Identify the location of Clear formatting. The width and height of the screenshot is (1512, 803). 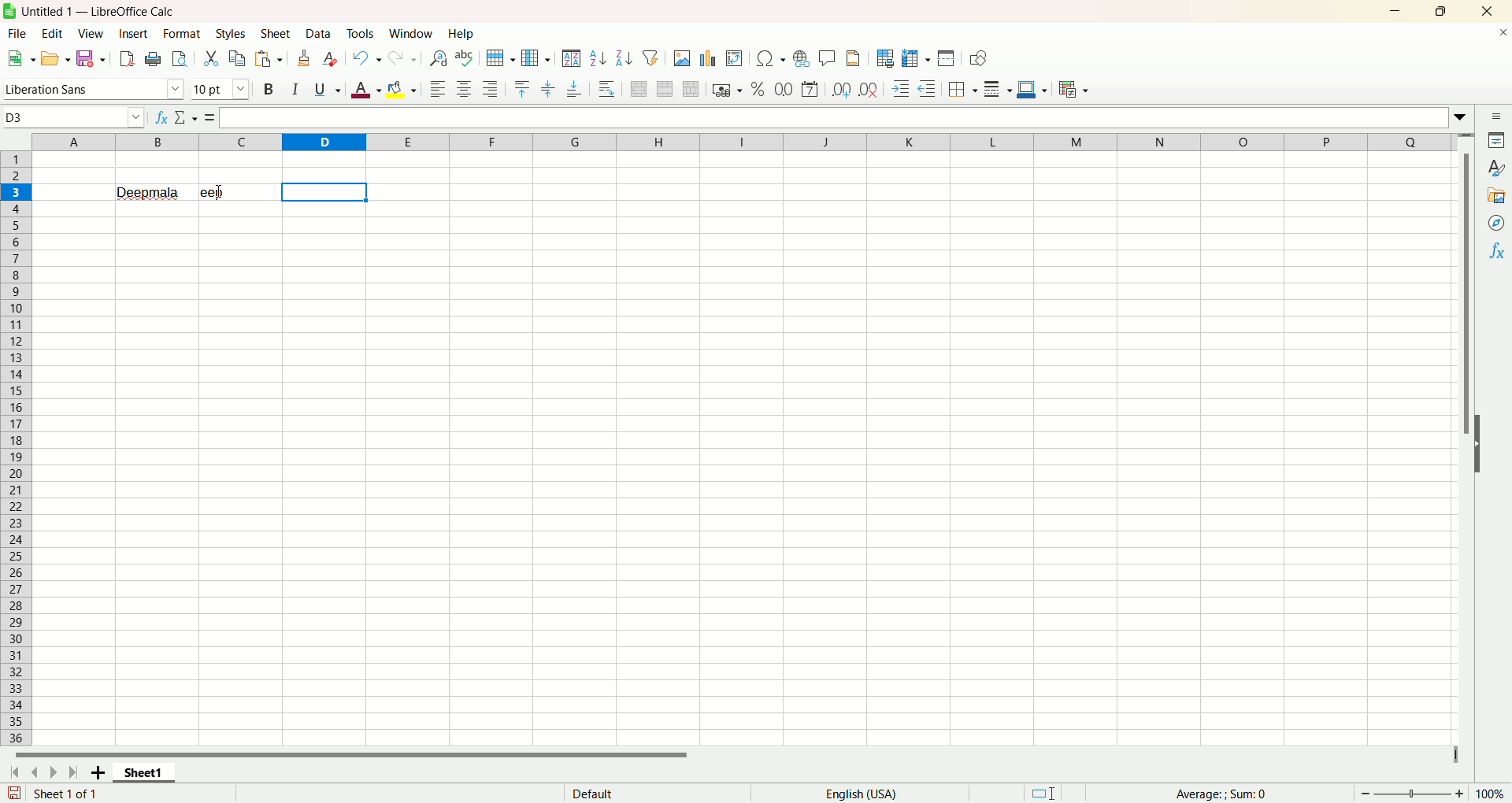
(332, 58).